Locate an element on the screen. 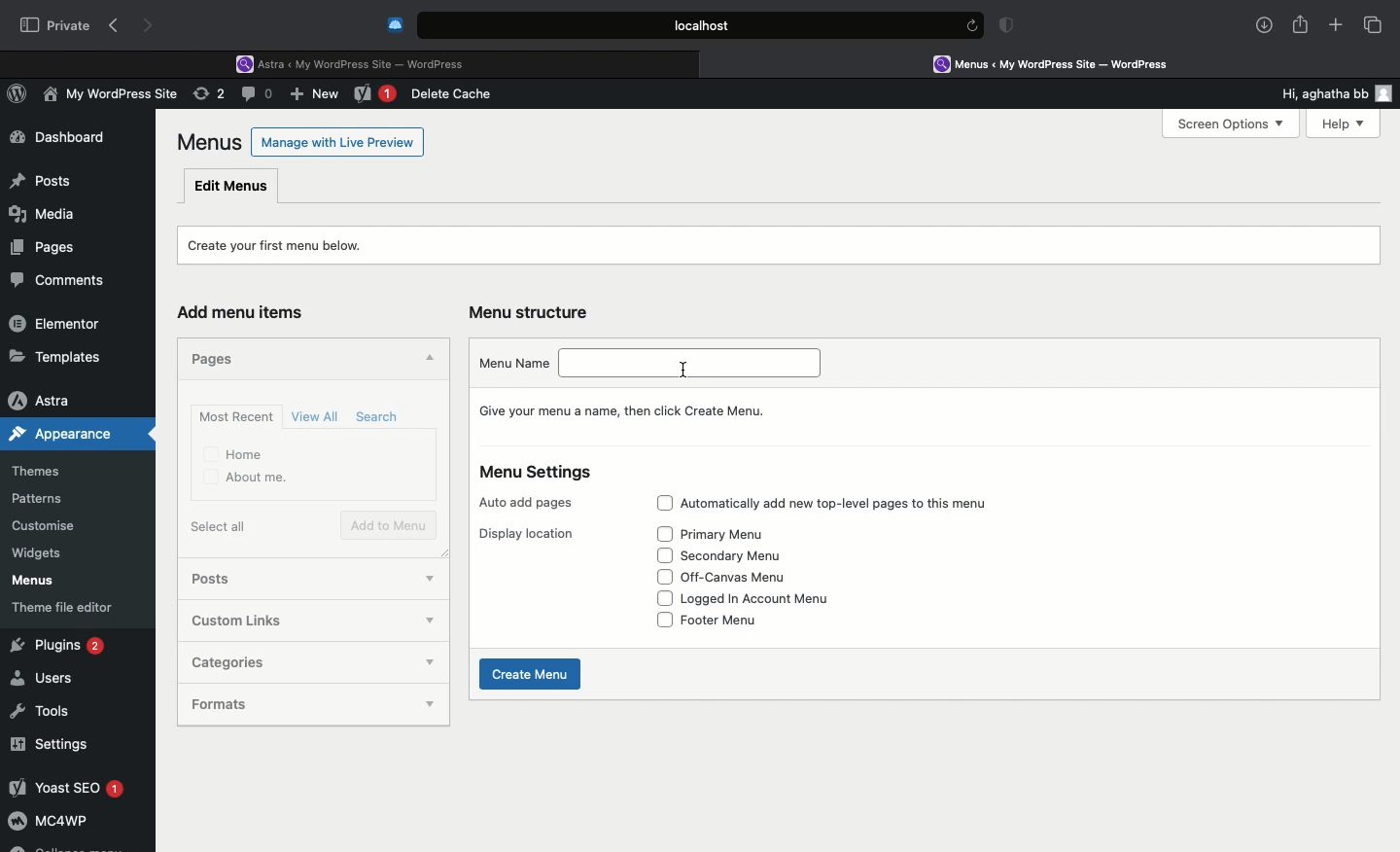 The height and width of the screenshot is (852, 1400). cursor is located at coordinates (681, 370).